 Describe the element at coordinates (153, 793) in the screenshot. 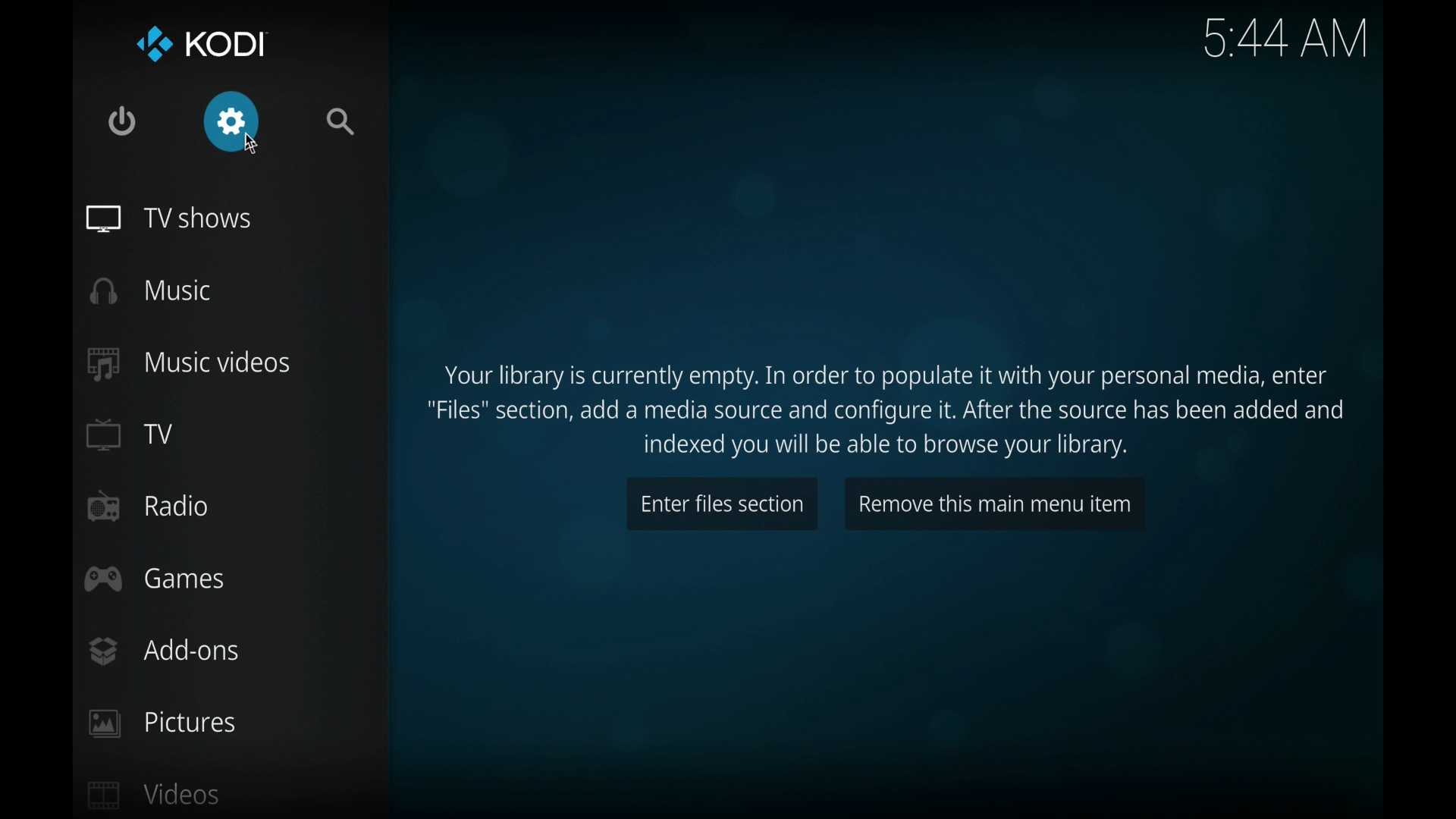

I see `videos` at that location.